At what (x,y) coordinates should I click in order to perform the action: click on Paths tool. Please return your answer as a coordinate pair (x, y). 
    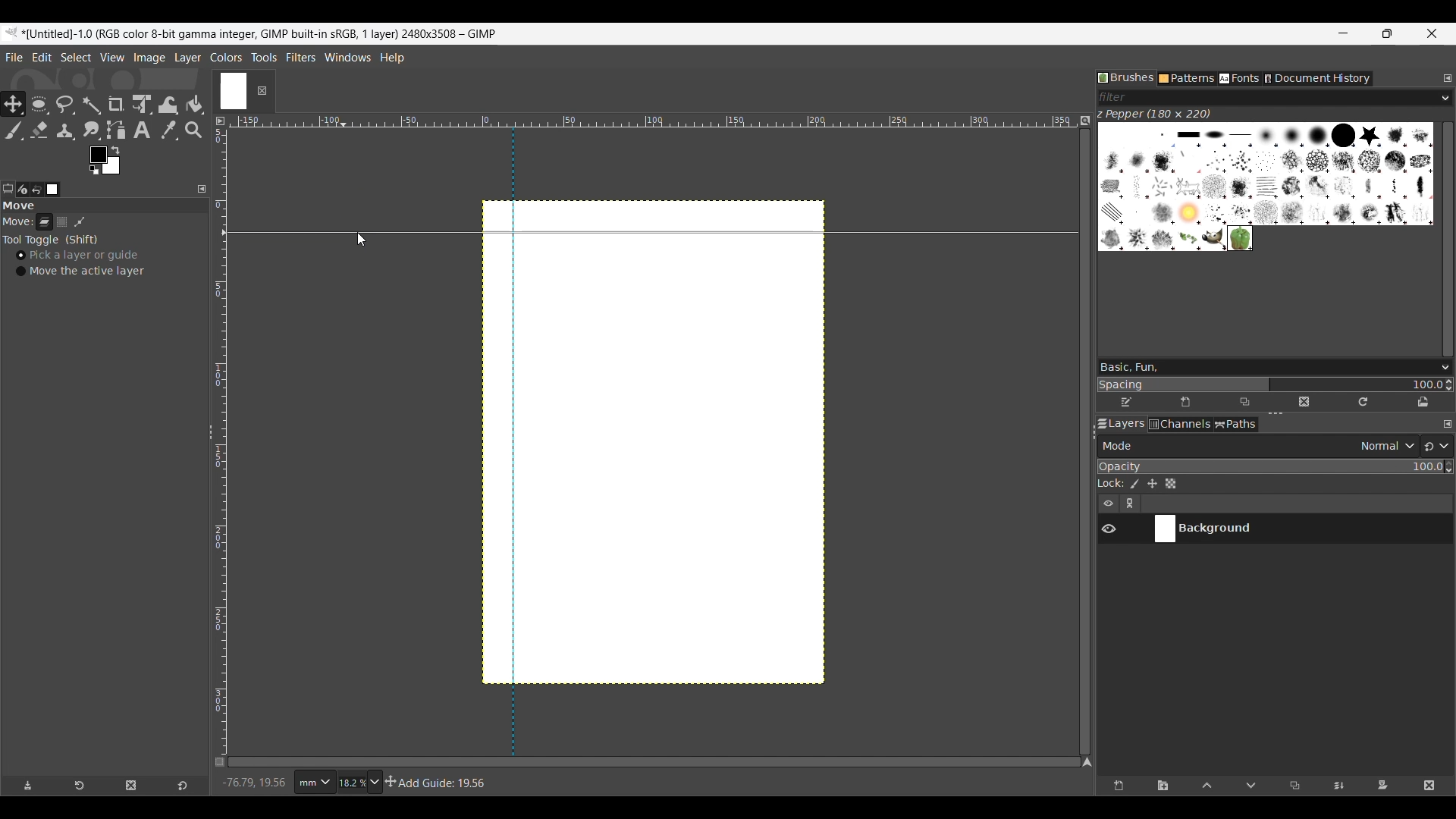
    Looking at the image, I should click on (117, 130).